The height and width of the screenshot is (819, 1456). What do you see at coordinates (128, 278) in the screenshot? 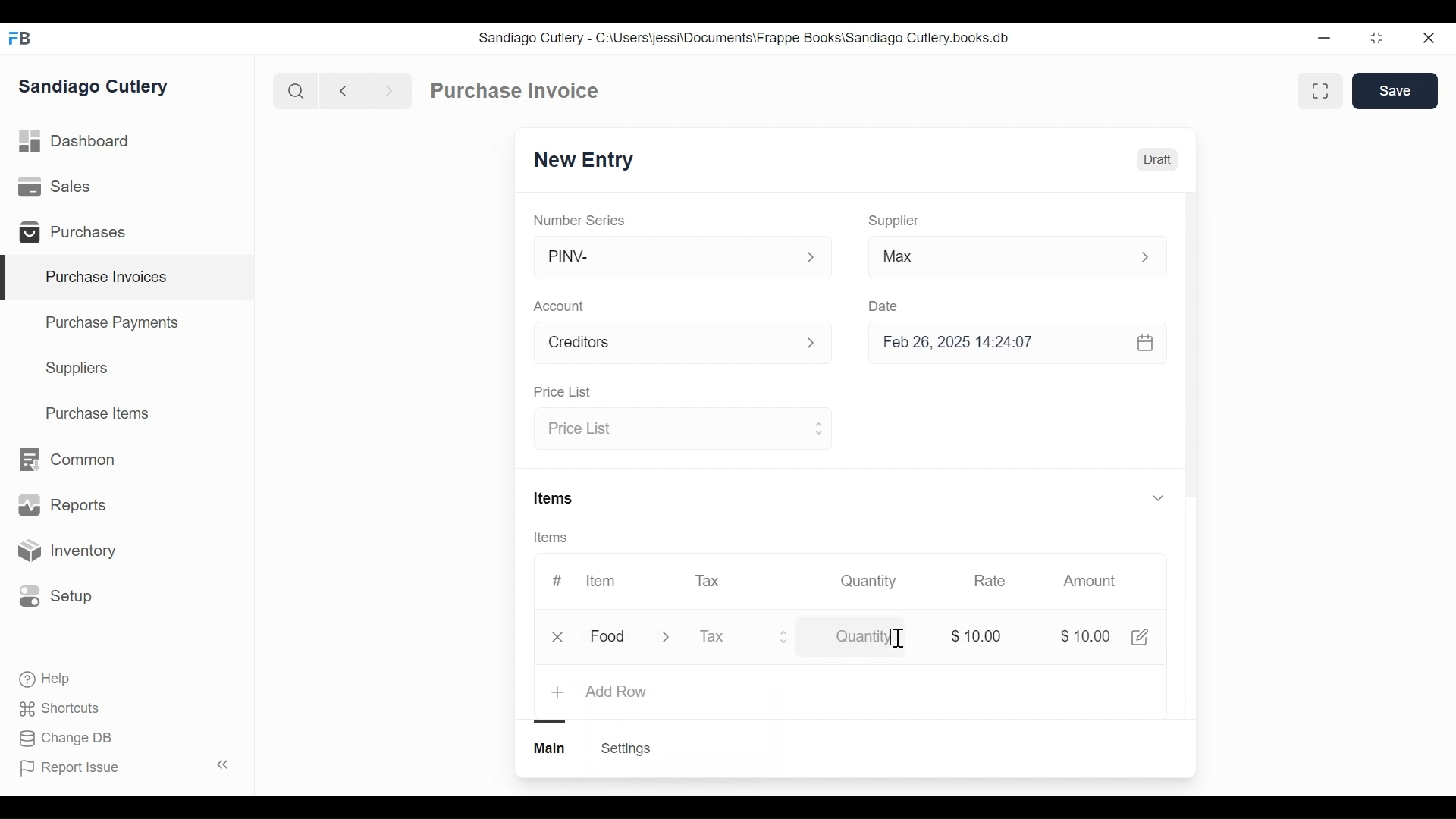
I see `Purchase Invoices` at bounding box center [128, 278].